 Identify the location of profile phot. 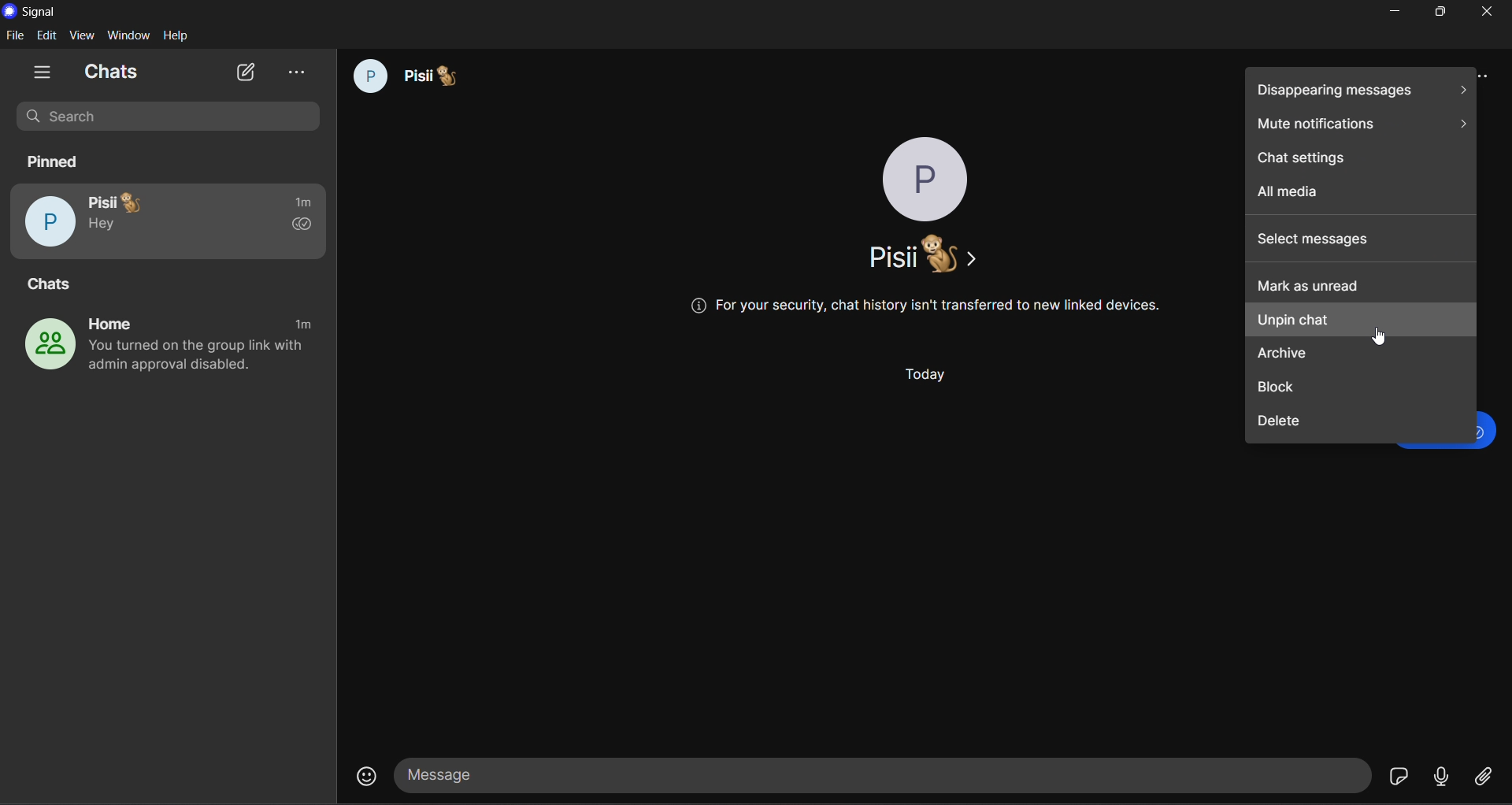
(928, 180).